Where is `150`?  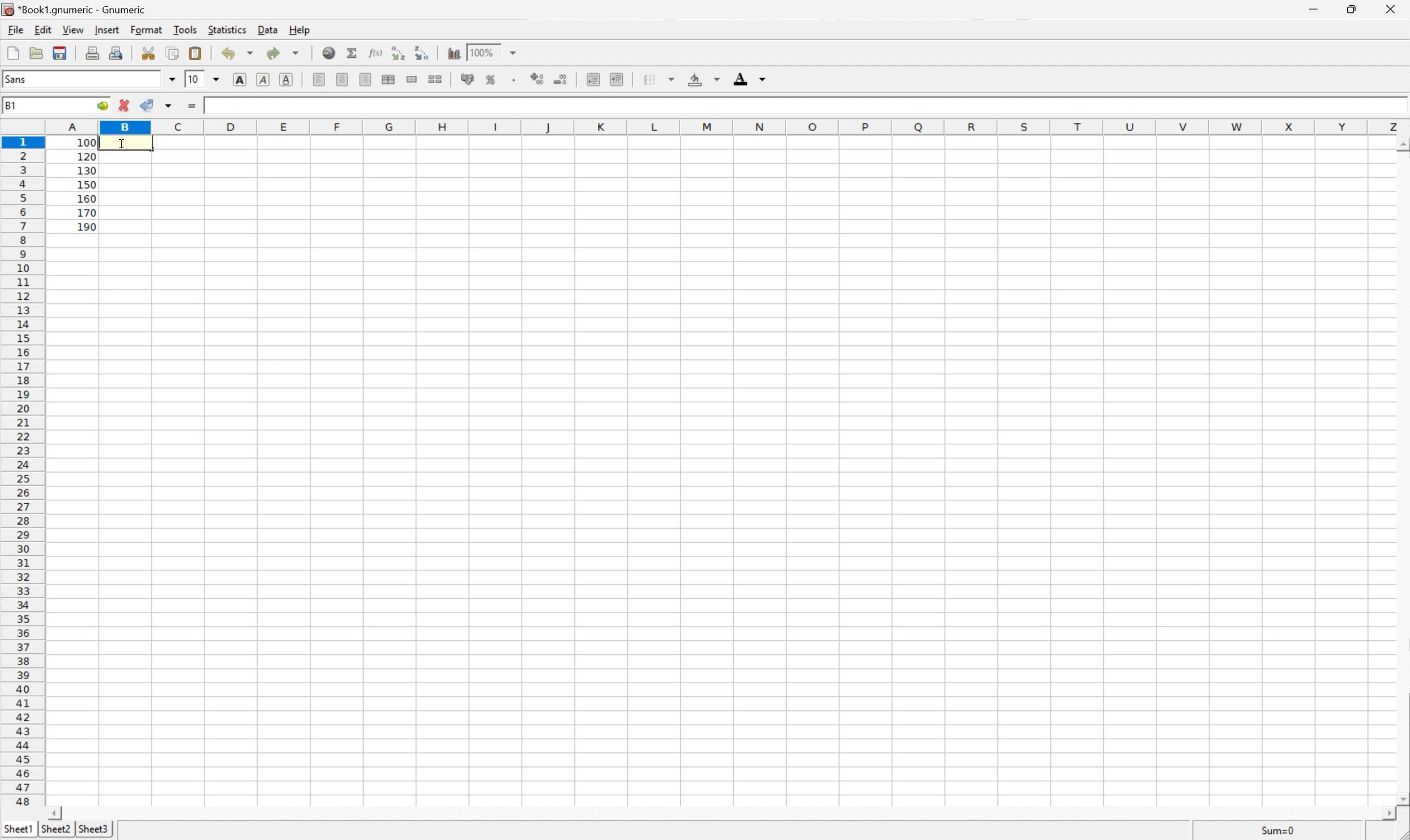
150 is located at coordinates (86, 183).